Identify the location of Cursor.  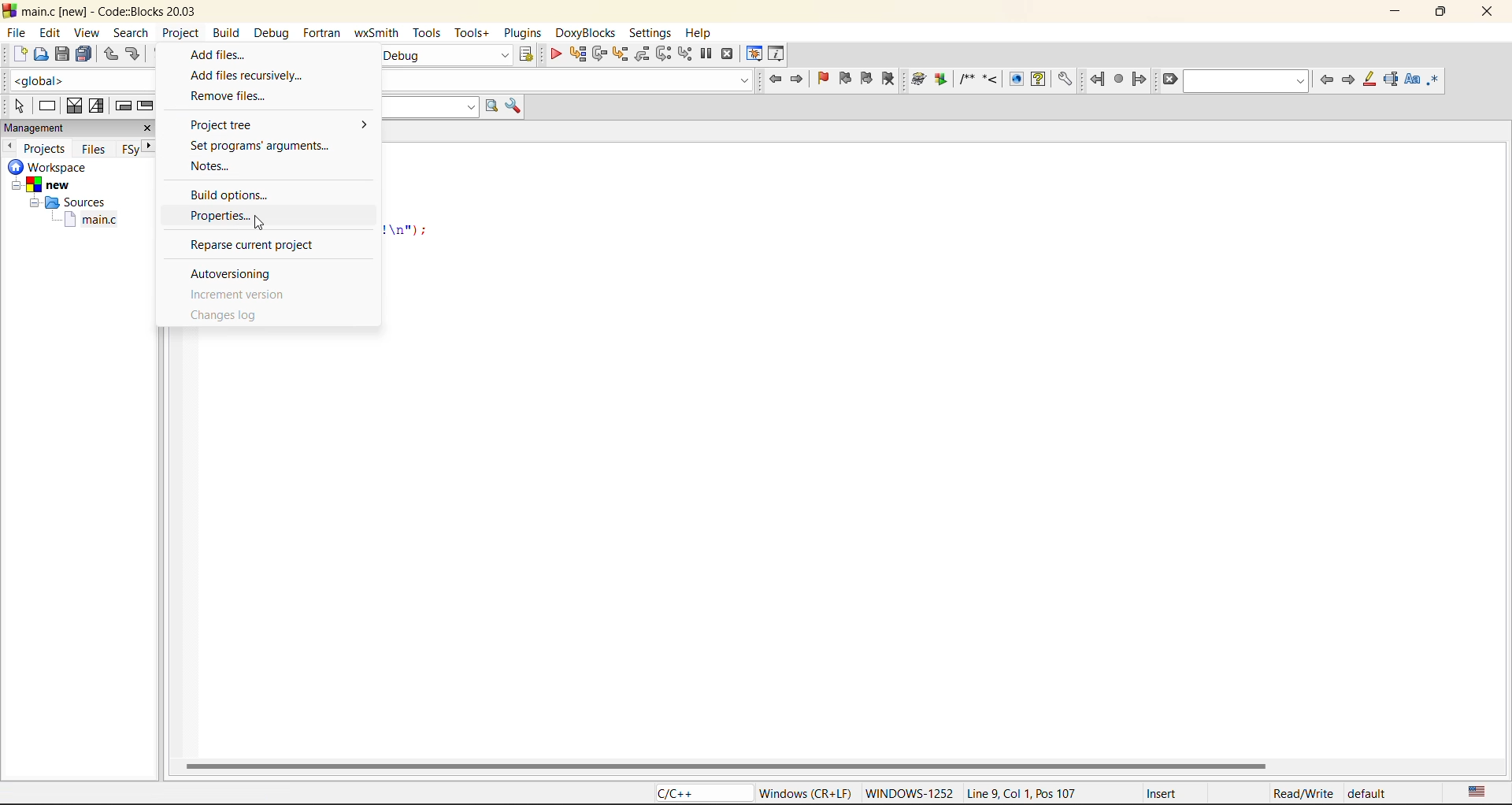
(257, 221).